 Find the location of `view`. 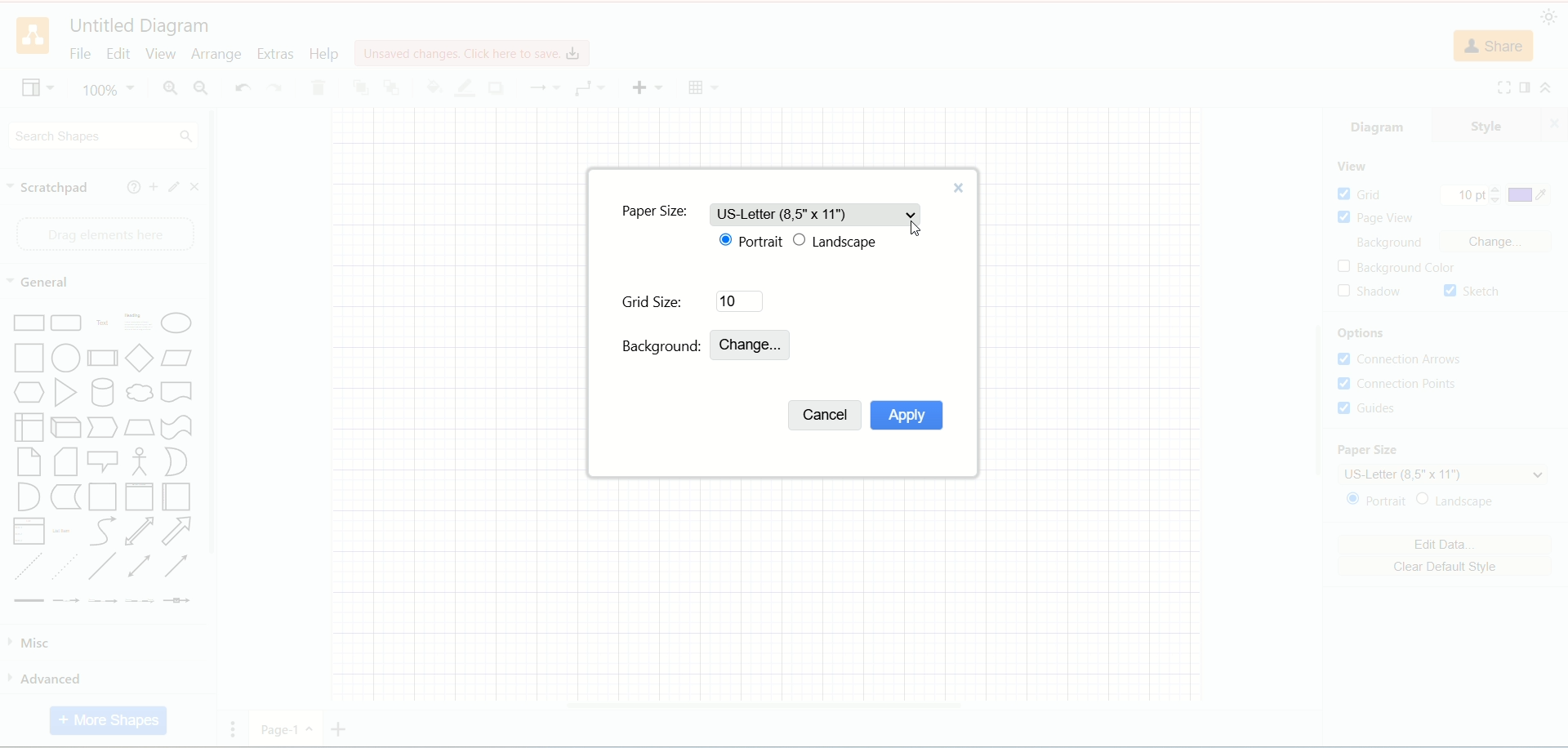

view is located at coordinates (35, 90).